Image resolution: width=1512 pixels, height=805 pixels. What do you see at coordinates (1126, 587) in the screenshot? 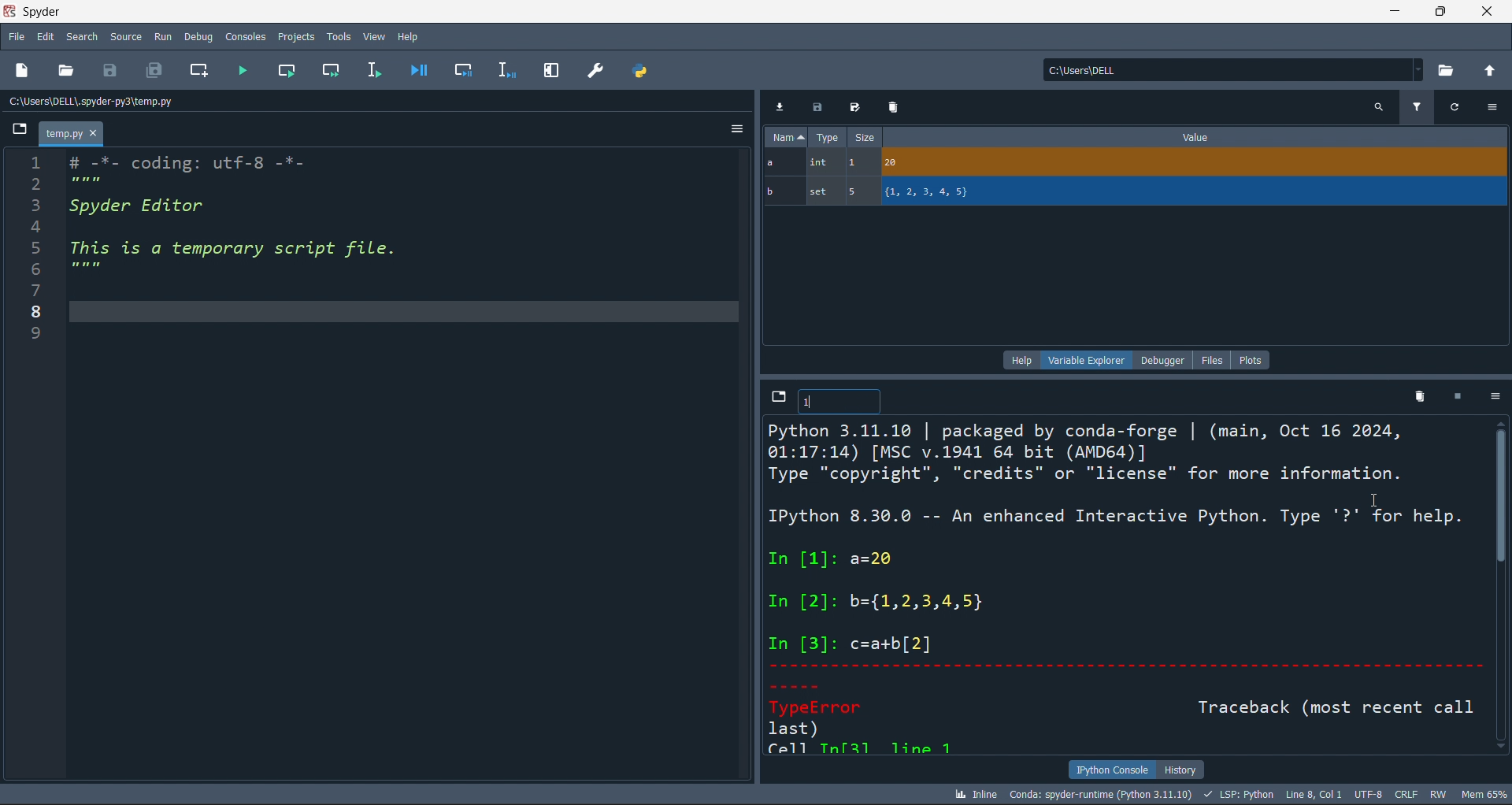
I see `ipython console pane` at bounding box center [1126, 587].